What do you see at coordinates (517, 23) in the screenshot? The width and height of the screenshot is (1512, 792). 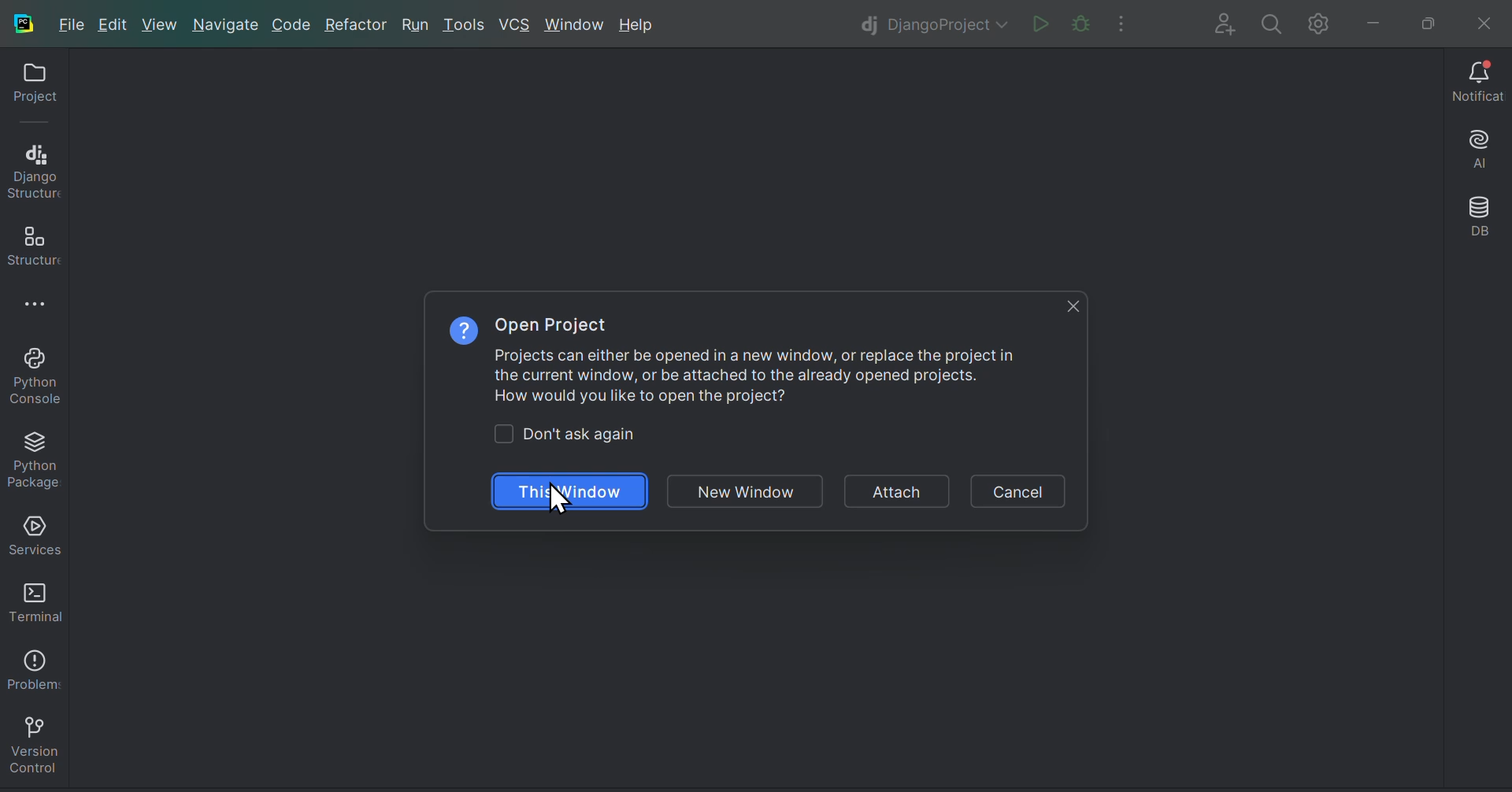 I see `VCS` at bounding box center [517, 23].